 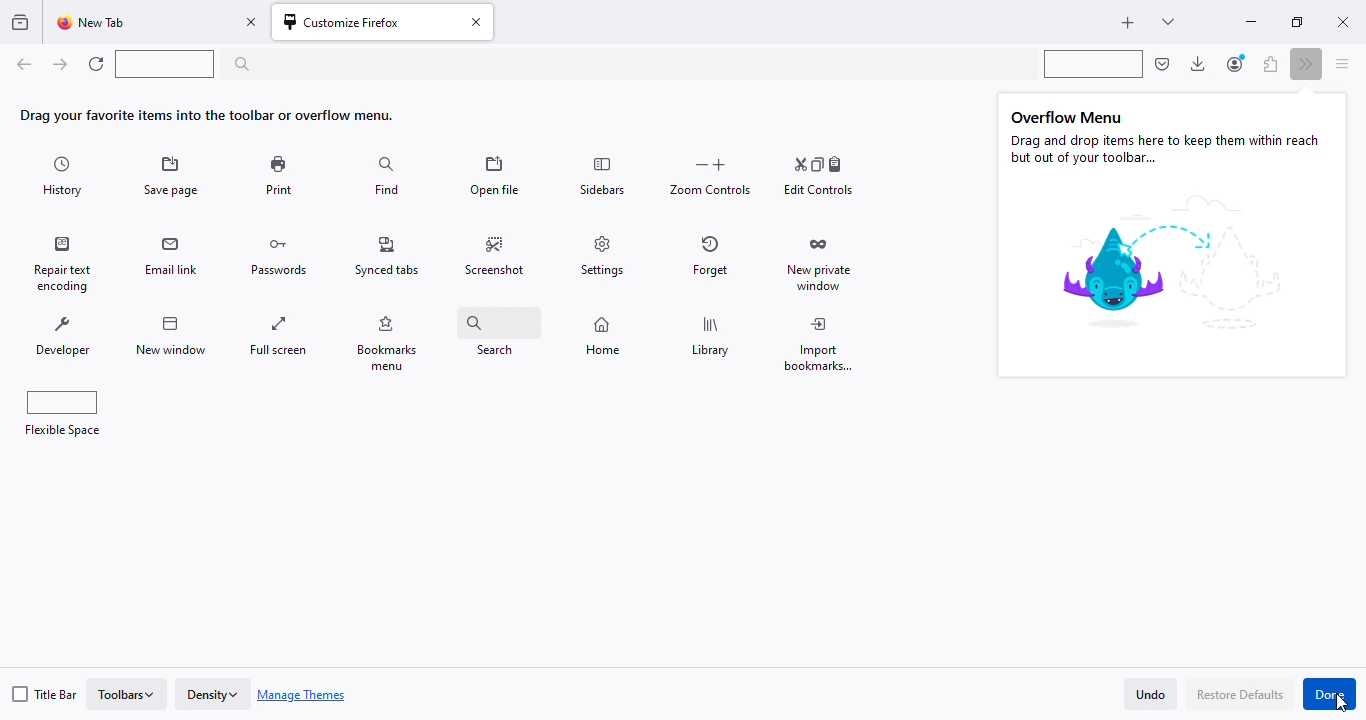 What do you see at coordinates (277, 257) in the screenshot?
I see `passwords` at bounding box center [277, 257].